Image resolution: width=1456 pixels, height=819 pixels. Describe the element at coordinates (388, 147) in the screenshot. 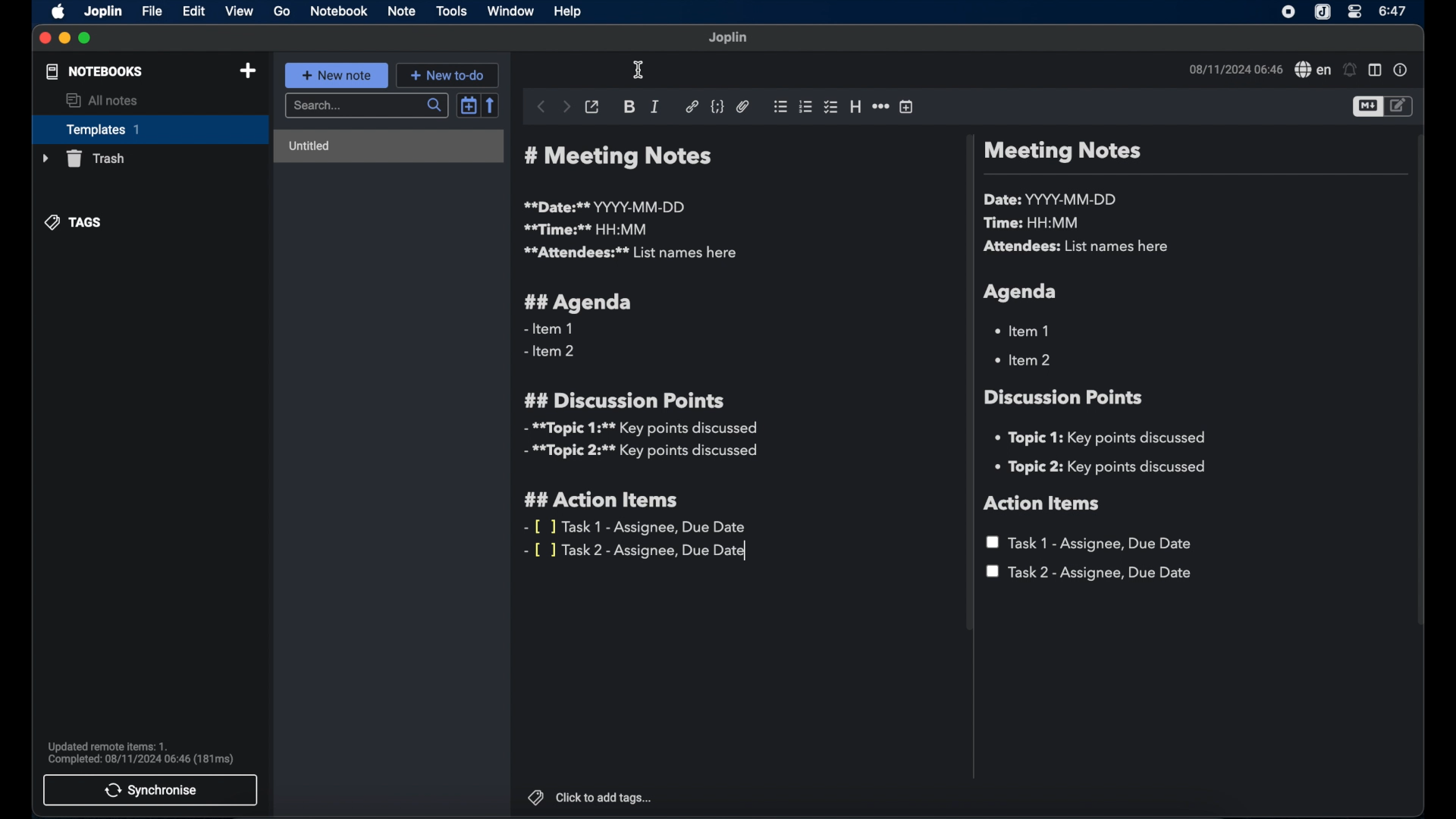

I see `untitled` at that location.